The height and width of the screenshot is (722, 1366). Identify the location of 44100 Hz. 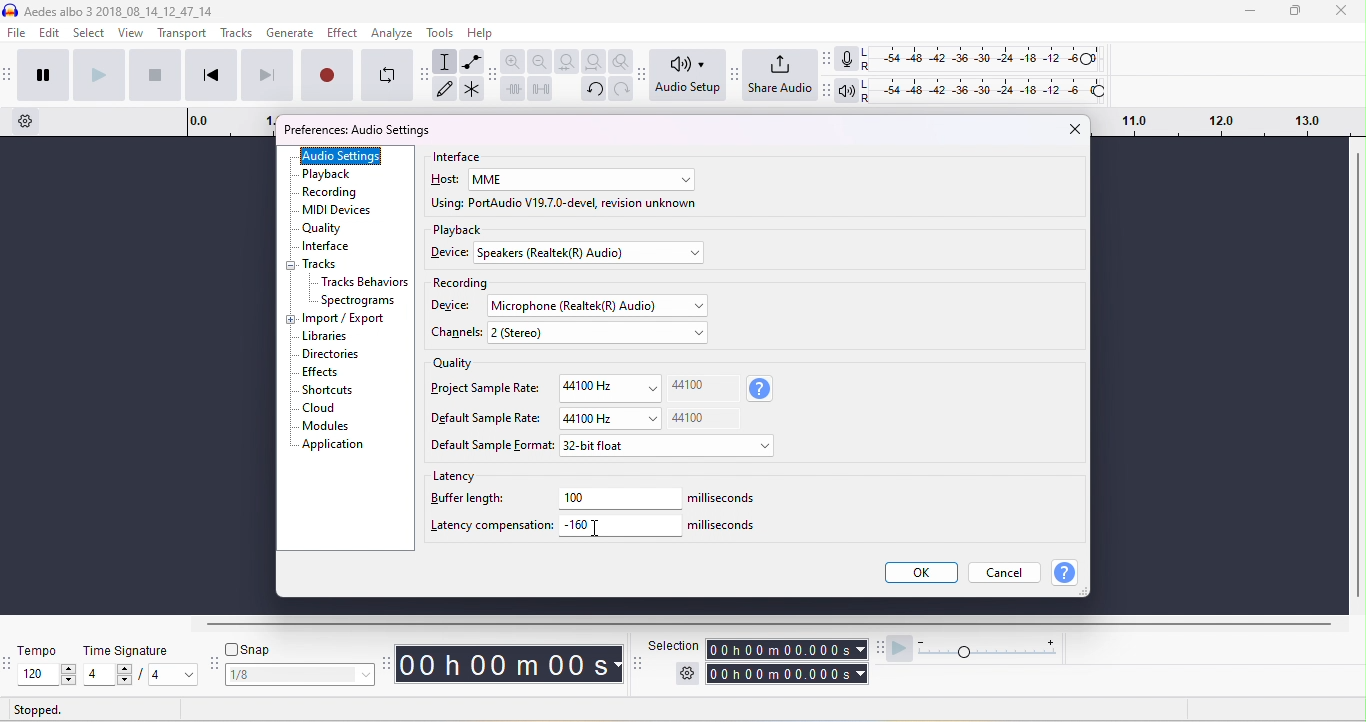
(611, 418).